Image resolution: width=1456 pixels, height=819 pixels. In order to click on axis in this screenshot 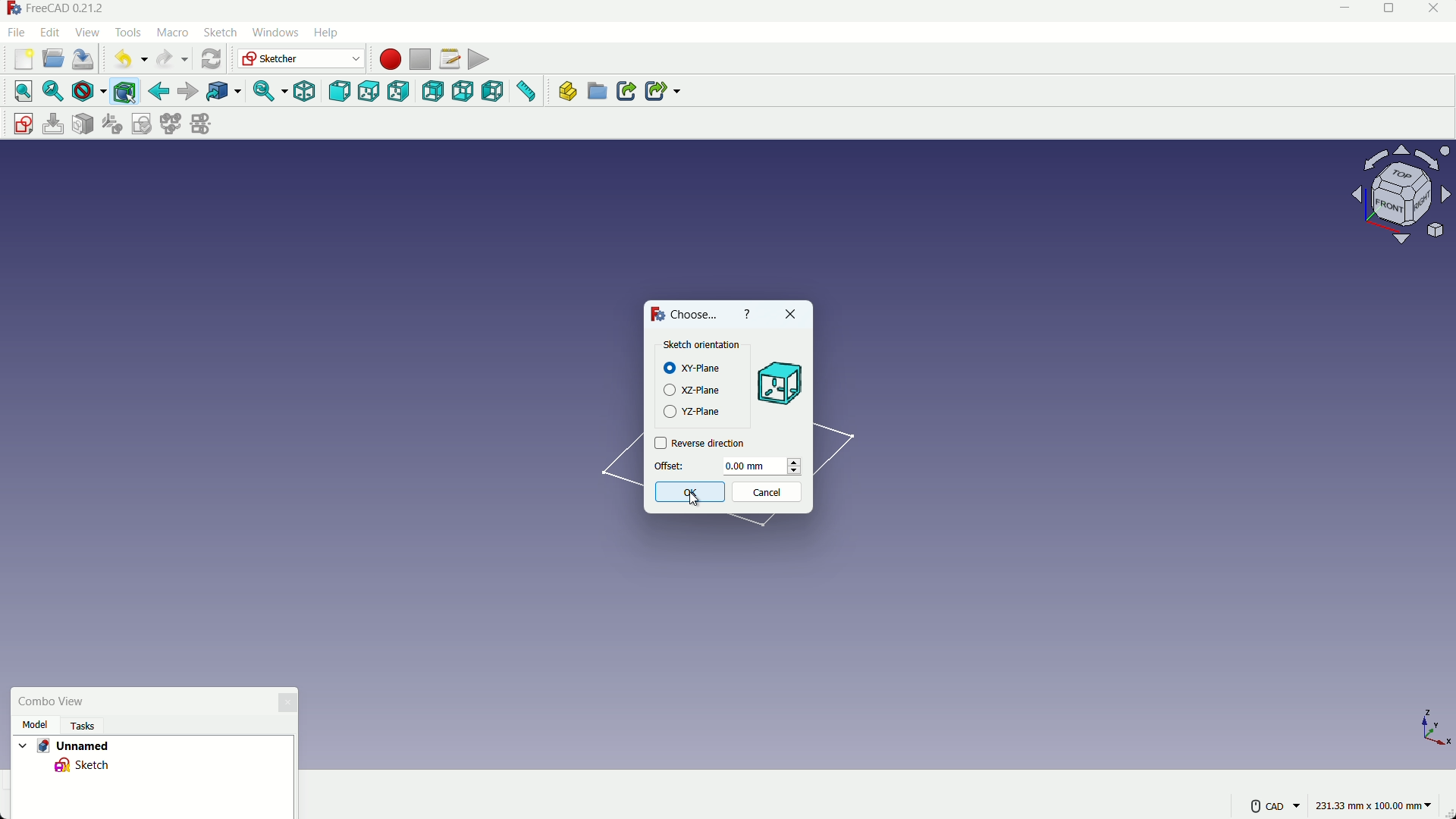, I will do `click(1434, 726)`.